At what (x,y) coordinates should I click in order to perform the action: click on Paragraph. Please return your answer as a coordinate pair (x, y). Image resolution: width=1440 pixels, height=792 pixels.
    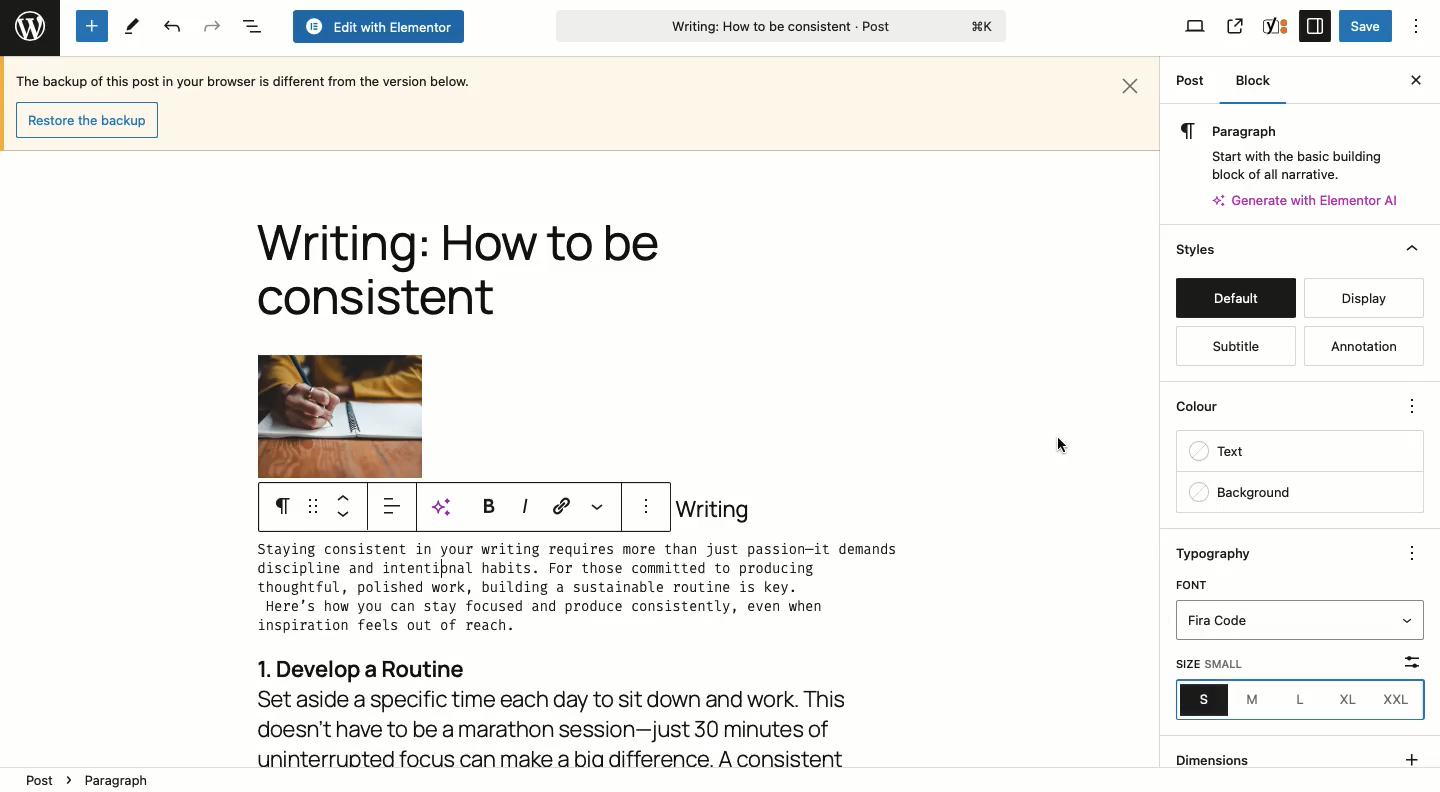
    Looking at the image, I should click on (282, 507).